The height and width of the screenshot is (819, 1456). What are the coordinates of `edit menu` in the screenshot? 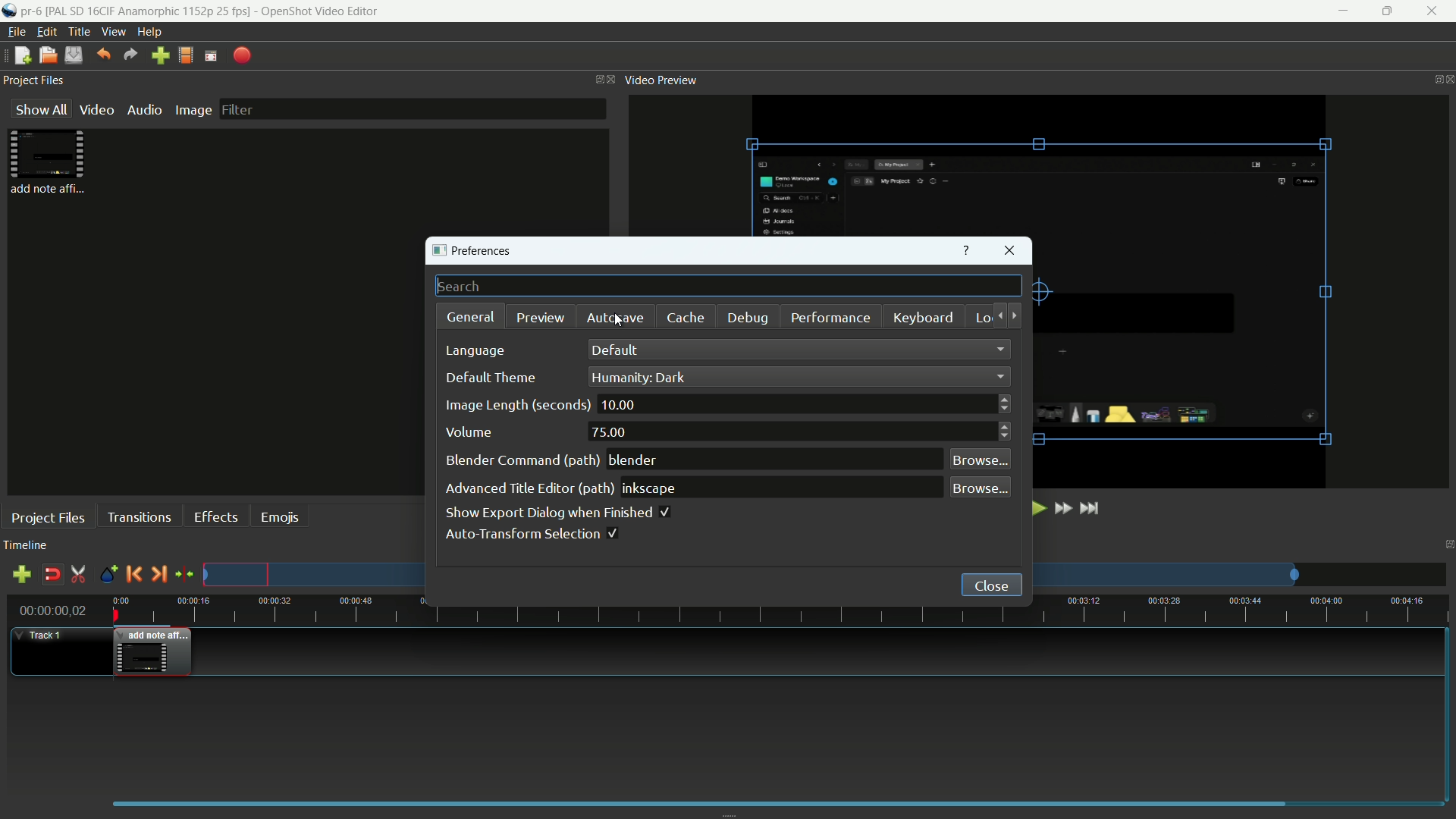 It's located at (47, 33).